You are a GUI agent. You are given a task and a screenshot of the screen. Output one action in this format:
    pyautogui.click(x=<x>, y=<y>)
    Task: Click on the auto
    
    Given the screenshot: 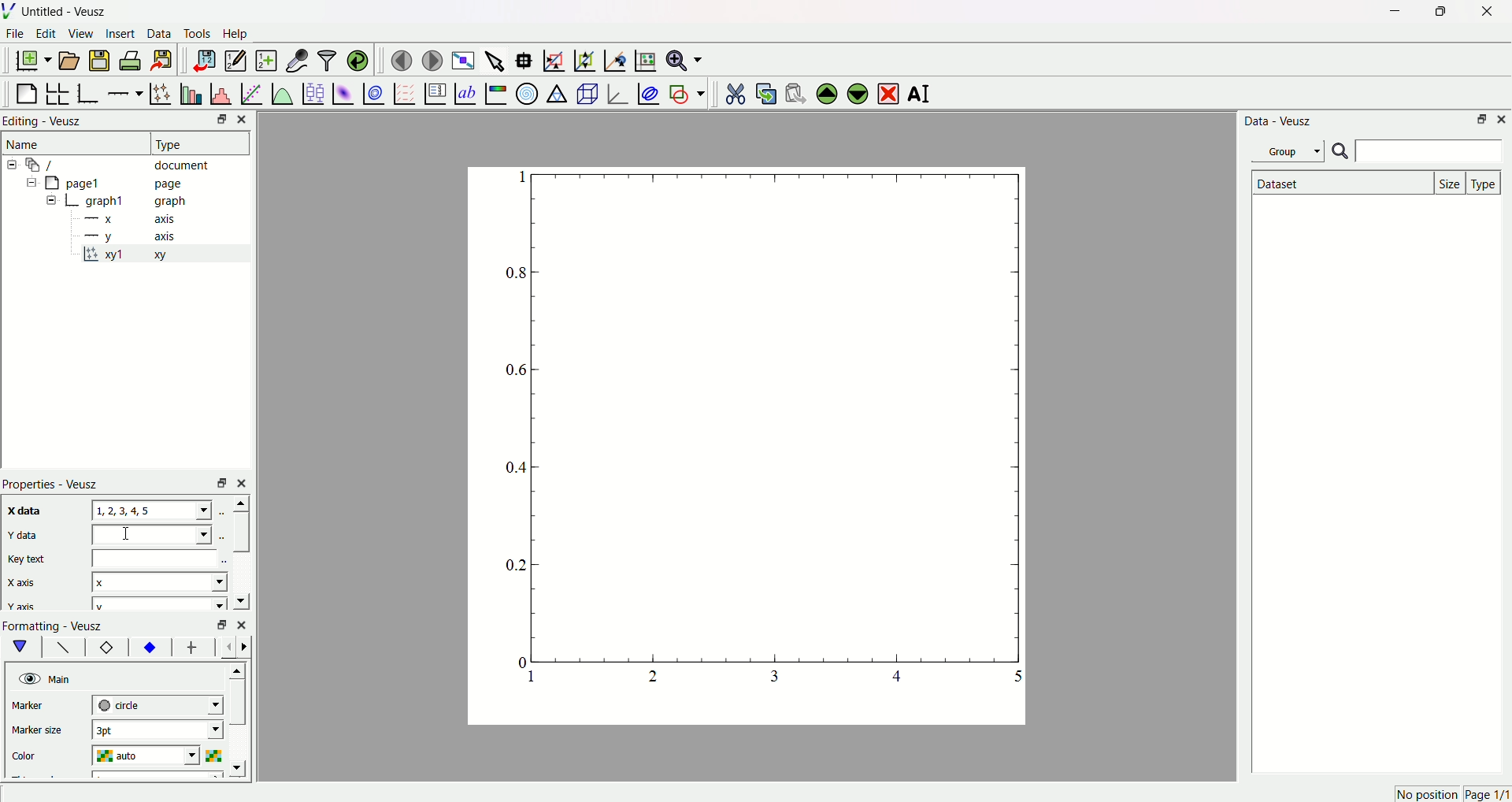 What is the action you would take?
    pyautogui.click(x=150, y=756)
    